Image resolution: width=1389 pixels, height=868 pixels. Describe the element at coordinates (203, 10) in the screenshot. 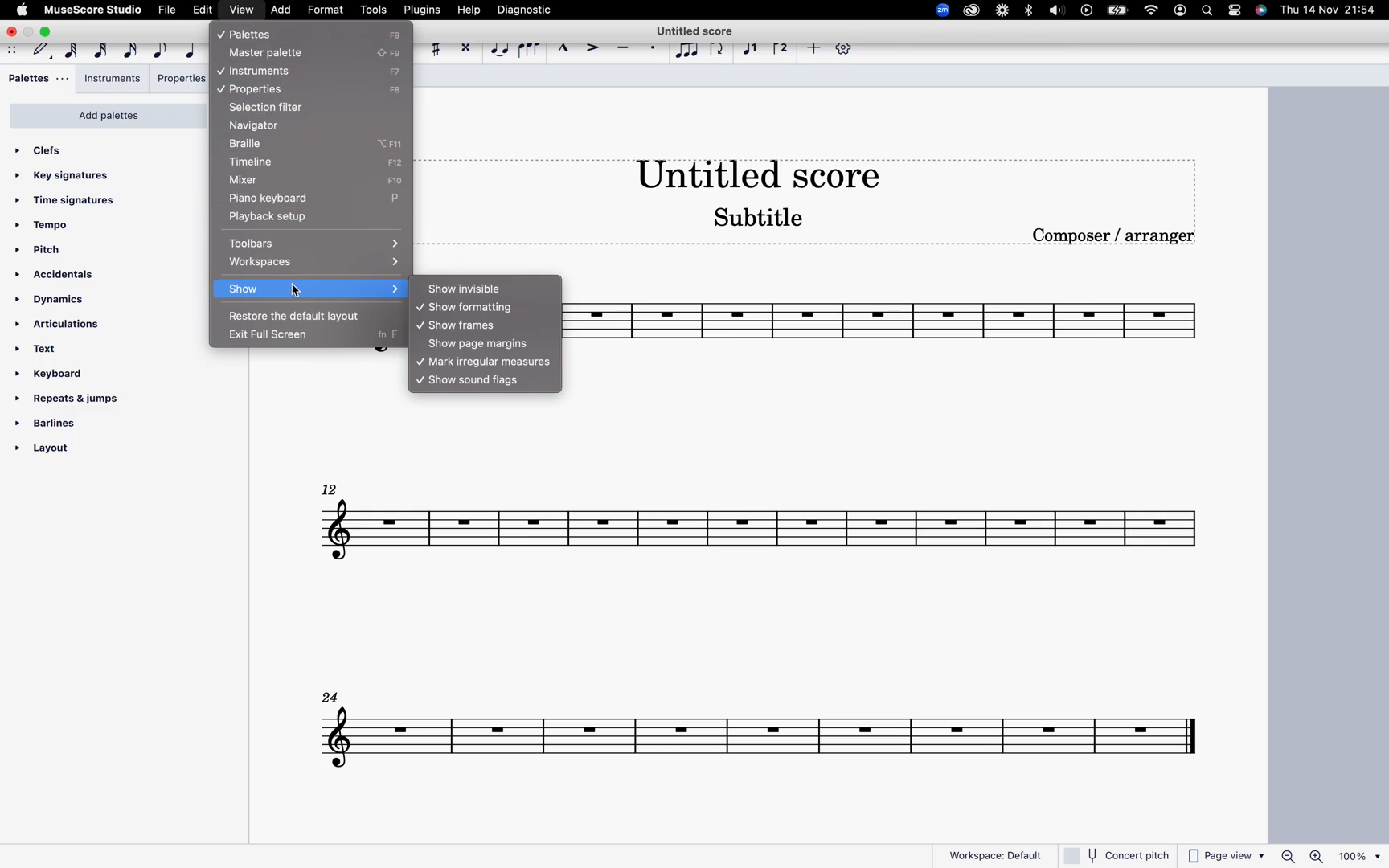

I see `edit` at that location.